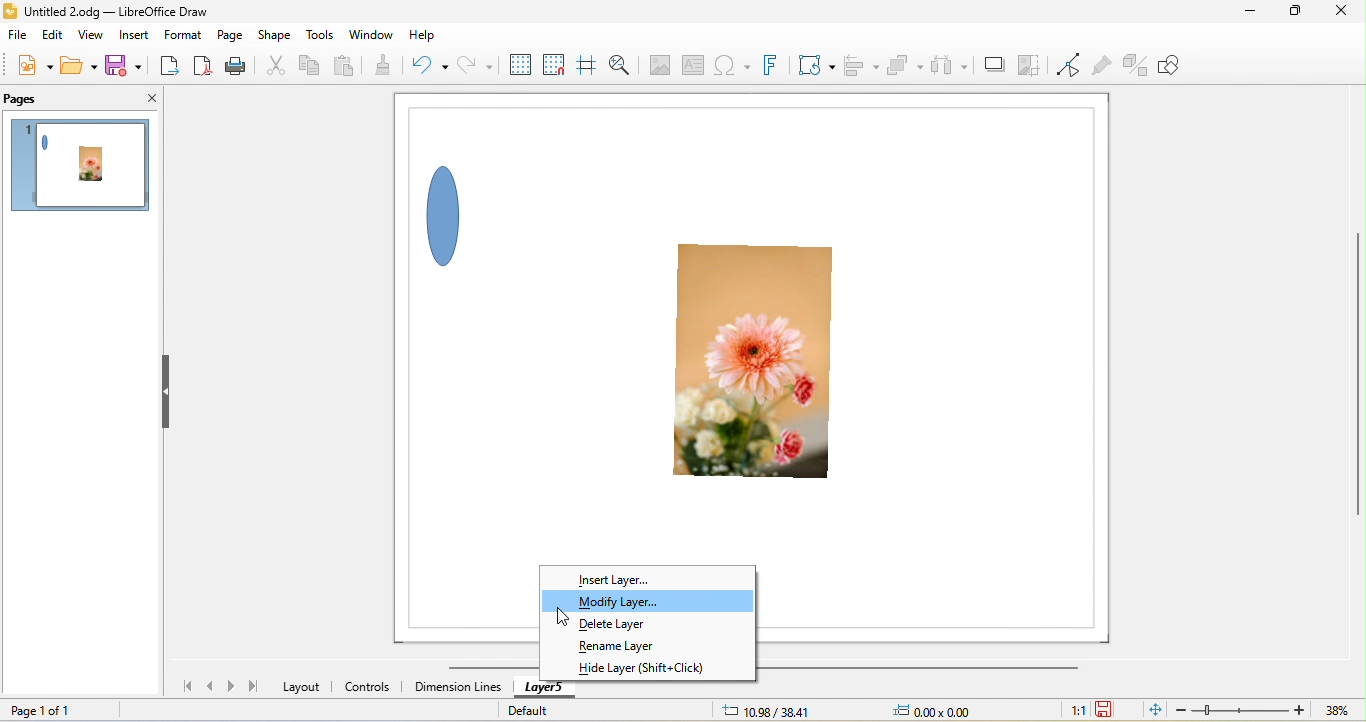 This screenshot has height=722, width=1366. What do you see at coordinates (817, 65) in the screenshot?
I see `transformation` at bounding box center [817, 65].